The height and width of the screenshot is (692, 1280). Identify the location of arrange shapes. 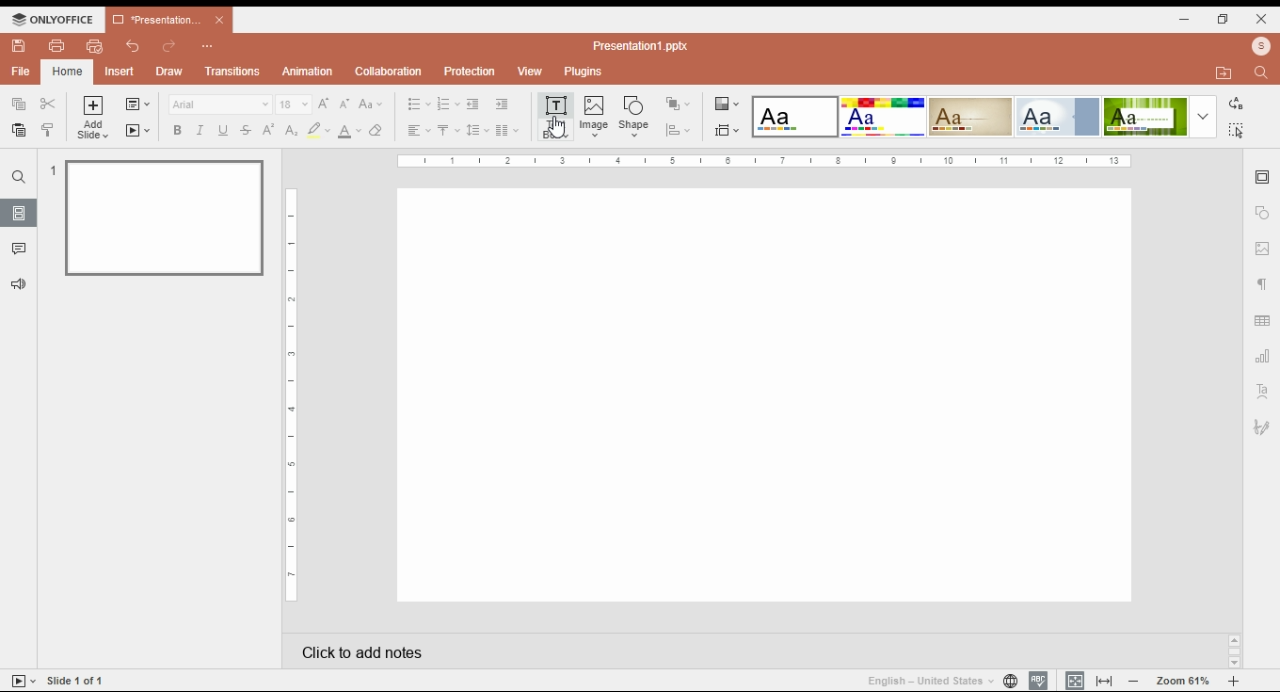
(679, 103).